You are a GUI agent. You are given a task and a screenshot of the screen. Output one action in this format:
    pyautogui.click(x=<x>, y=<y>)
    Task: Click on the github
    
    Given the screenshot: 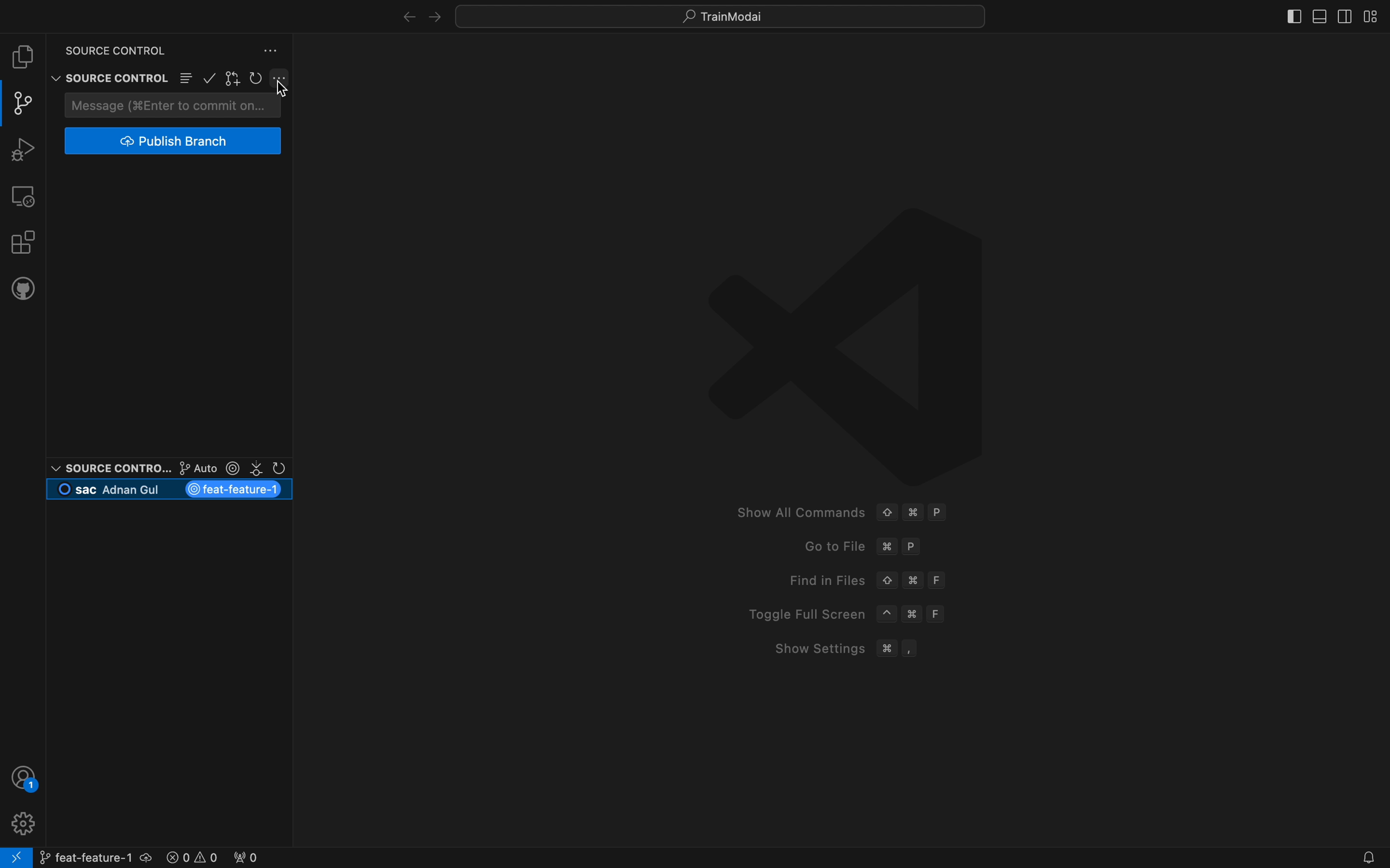 What is the action you would take?
    pyautogui.click(x=23, y=287)
    